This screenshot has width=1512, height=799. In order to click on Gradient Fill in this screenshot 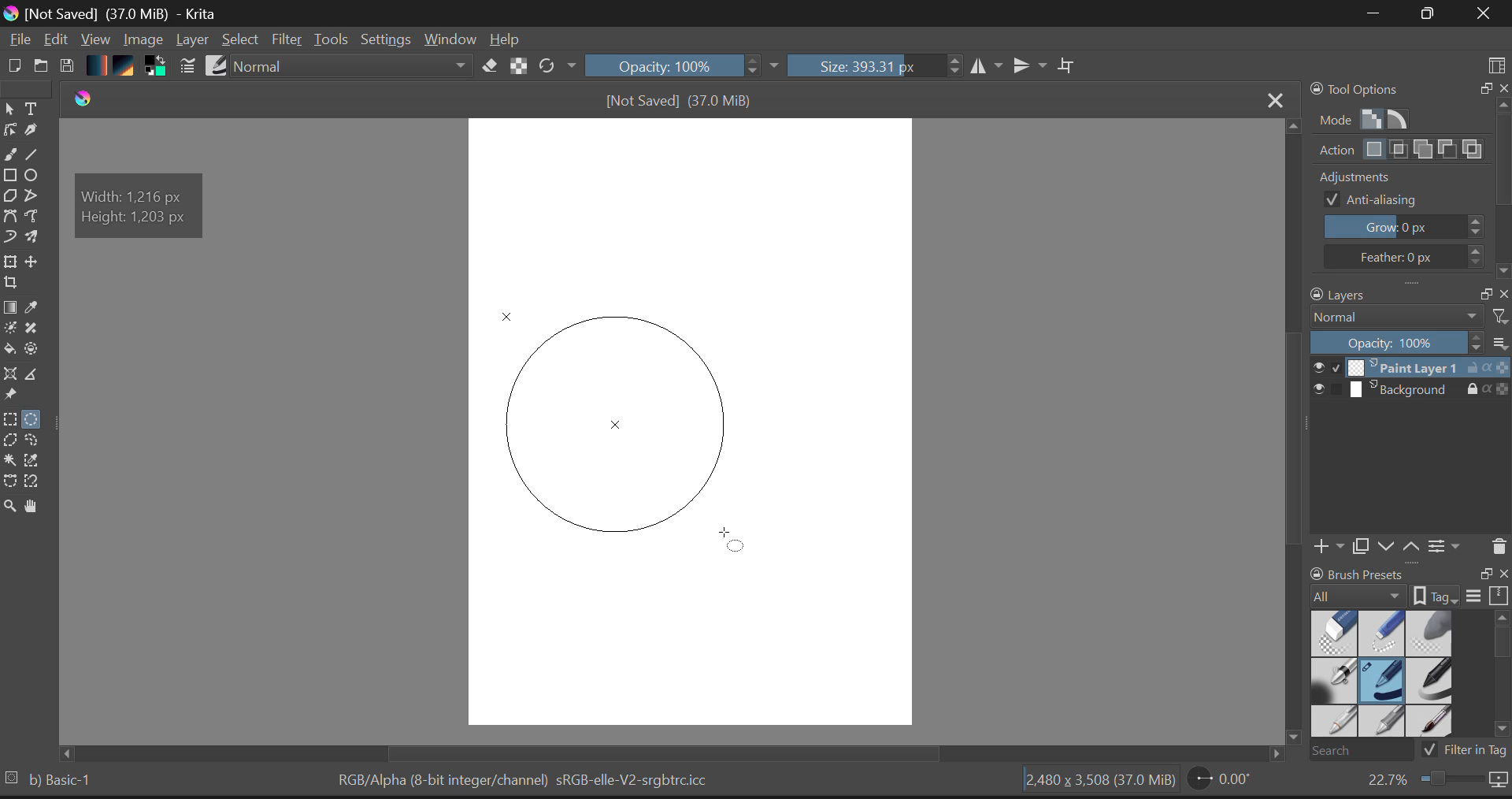, I will do `click(10, 309)`.